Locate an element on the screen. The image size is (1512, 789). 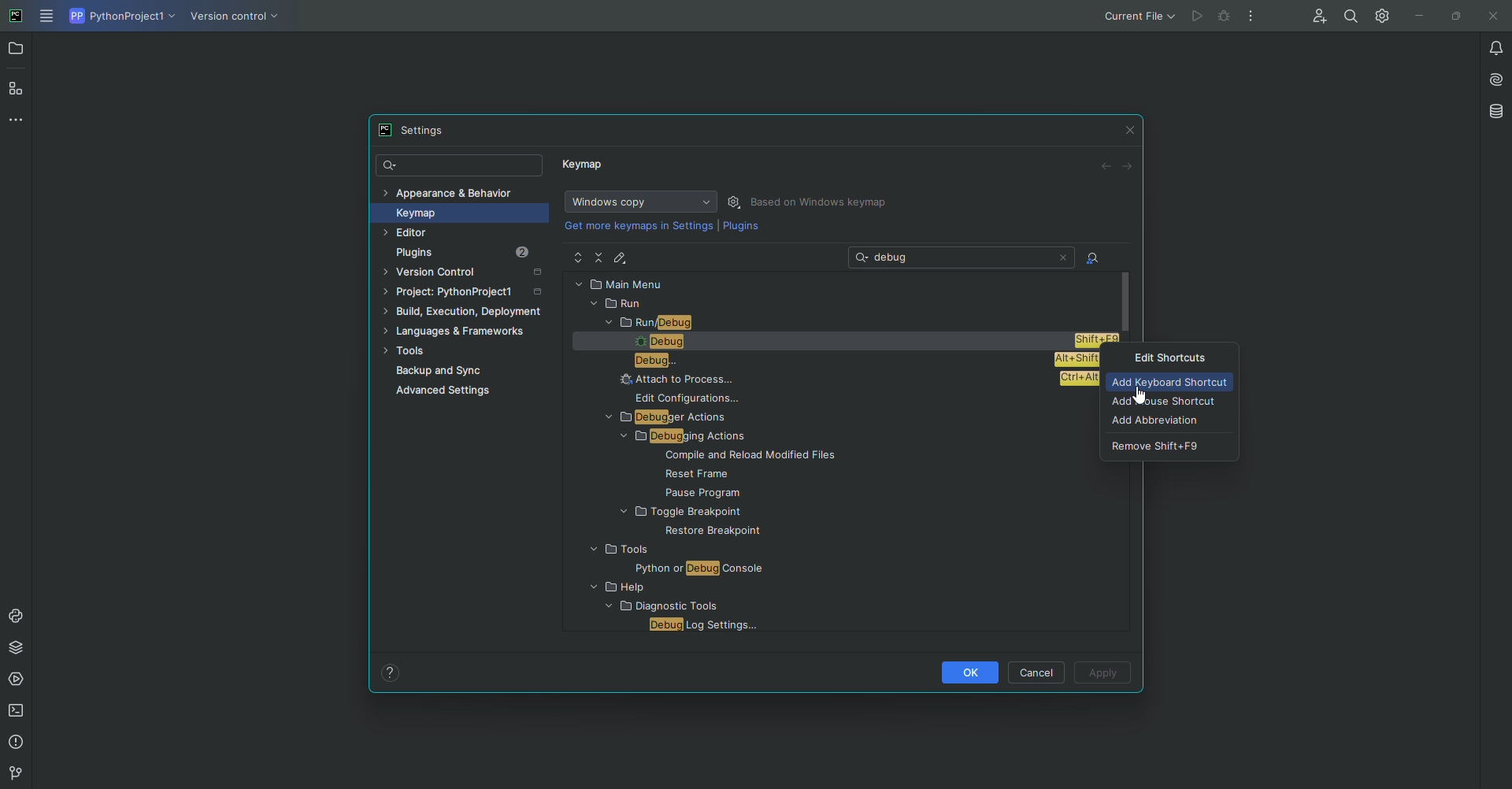
version Control is located at coordinates (13, 774).